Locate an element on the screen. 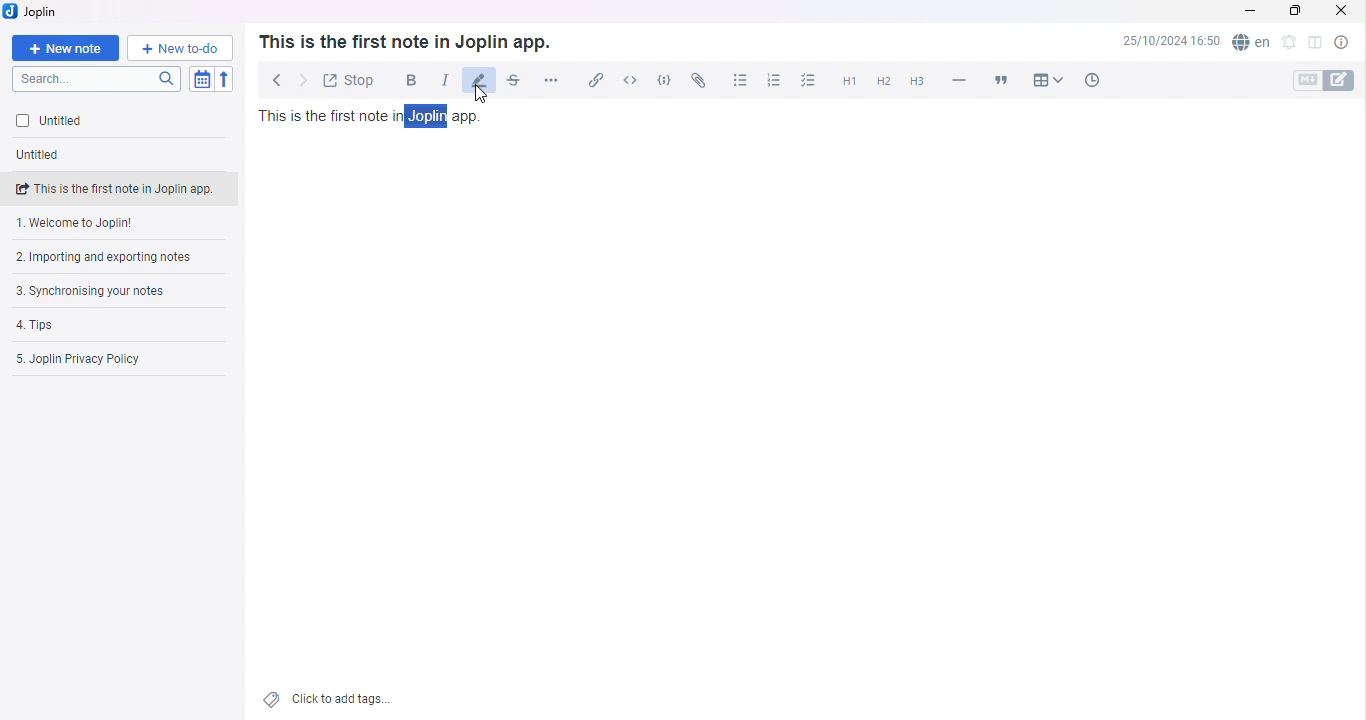 This screenshot has height=720, width=1366. Checkbox list is located at coordinates (809, 82).